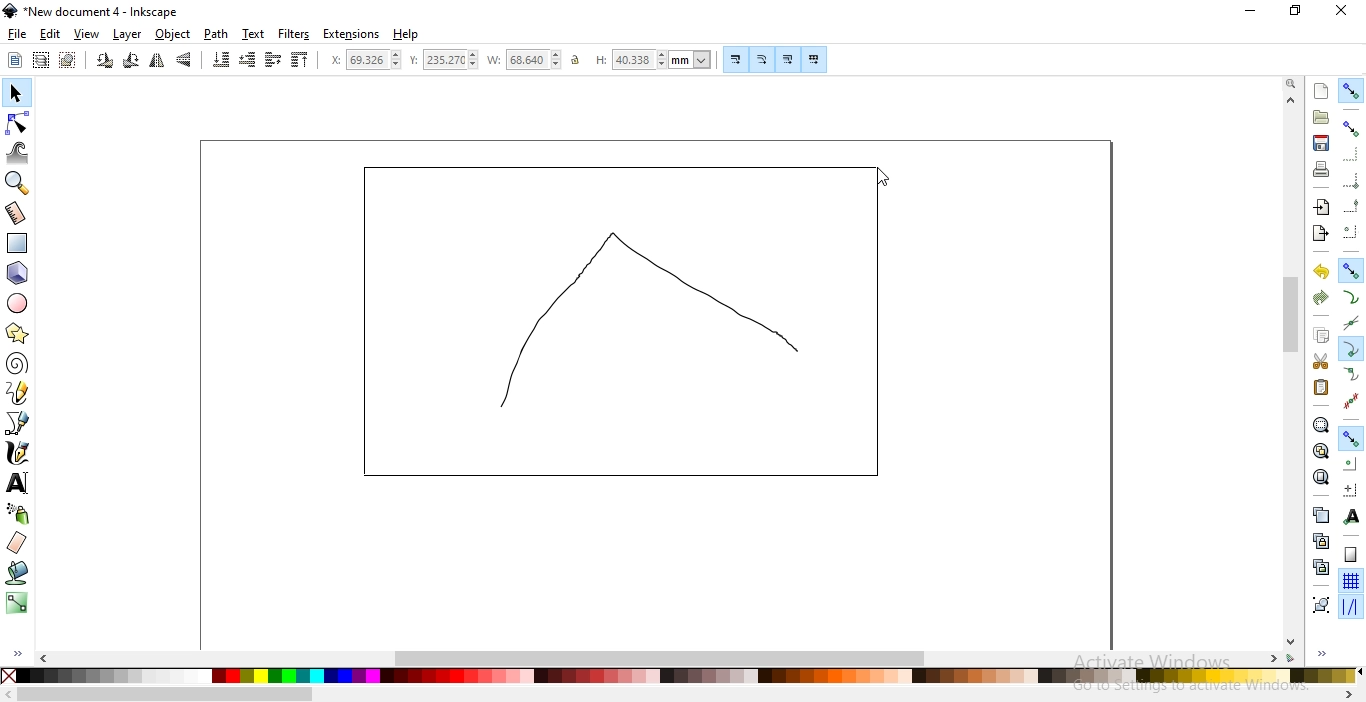  What do you see at coordinates (184, 59) in the screenshot?
I see `flip vertically` at bounding box center [184, 59].